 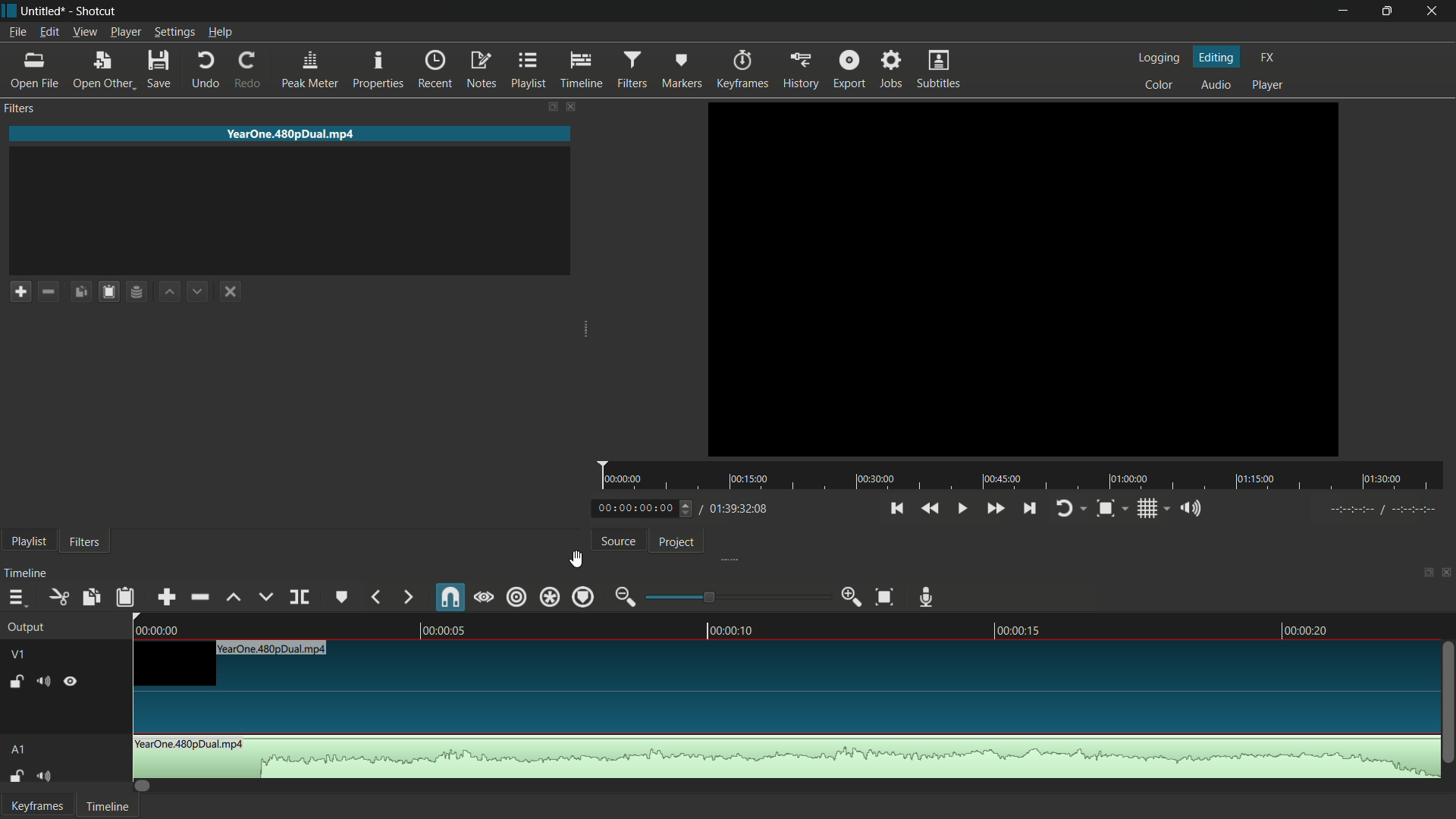 What do you see at coordinates (161, 629) in the screenshot?
I see `00:00:00` at bounding box center [161, 629].